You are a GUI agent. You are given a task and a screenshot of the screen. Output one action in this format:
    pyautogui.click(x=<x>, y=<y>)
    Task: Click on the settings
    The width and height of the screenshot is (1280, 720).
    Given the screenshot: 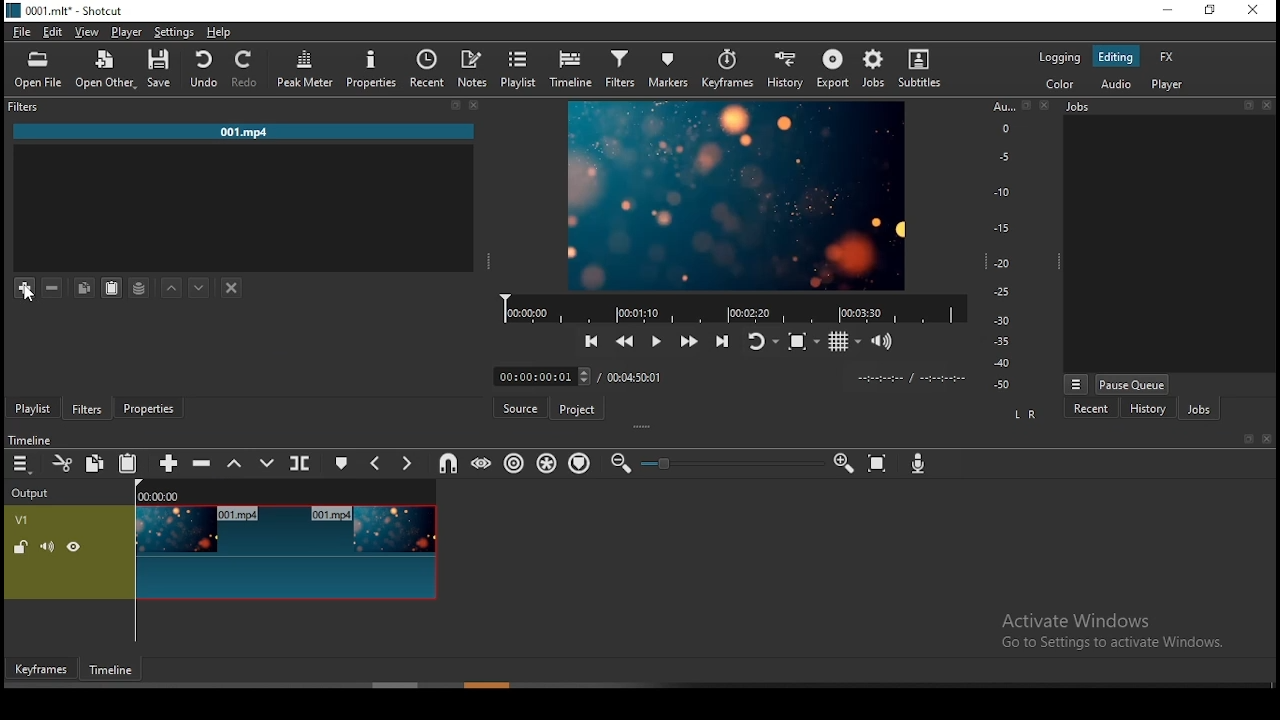 What is the action you would take?
    pyautogui.click(x=173, y=33)
    